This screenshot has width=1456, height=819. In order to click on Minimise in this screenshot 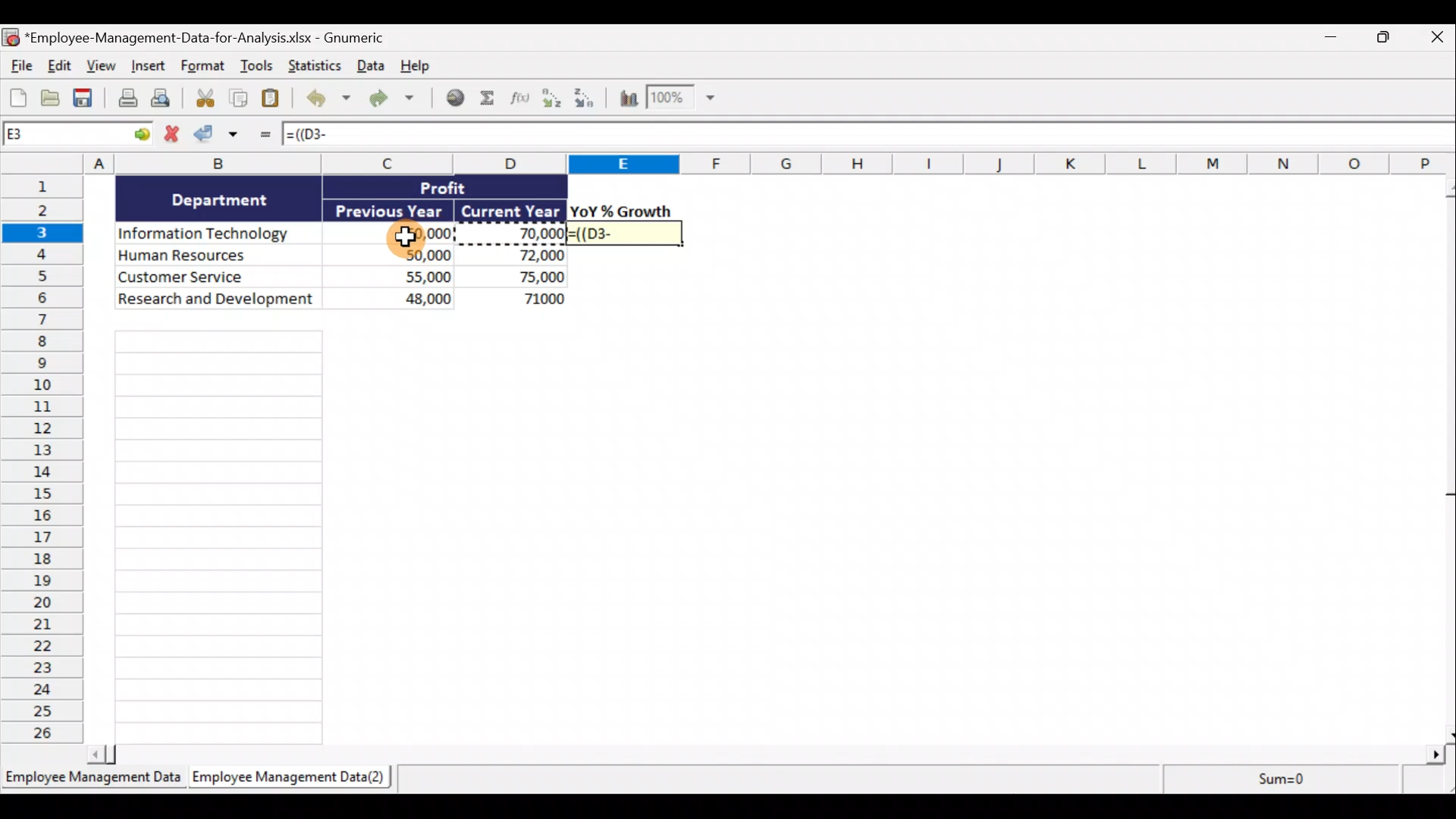, I will do `click(1328, 40)`.